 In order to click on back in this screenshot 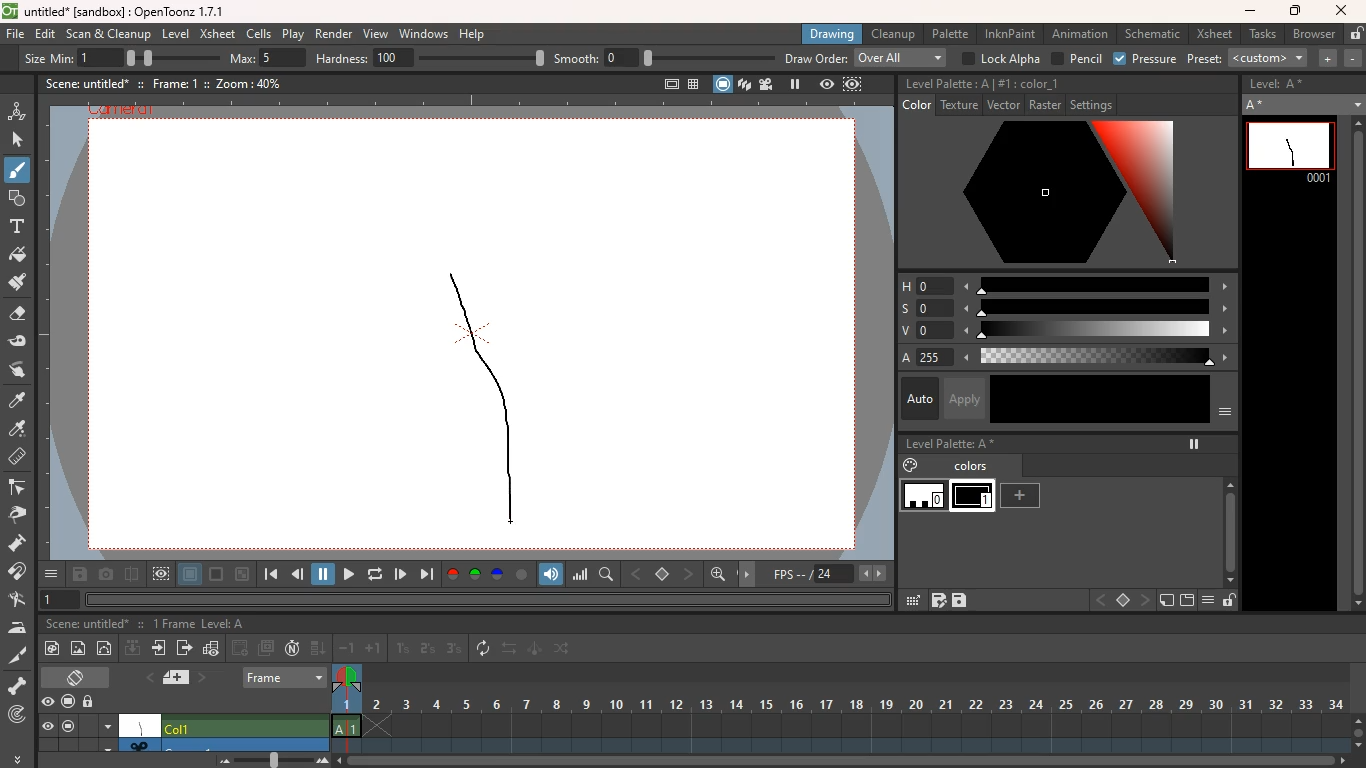, I will do `click(299, 576)`.